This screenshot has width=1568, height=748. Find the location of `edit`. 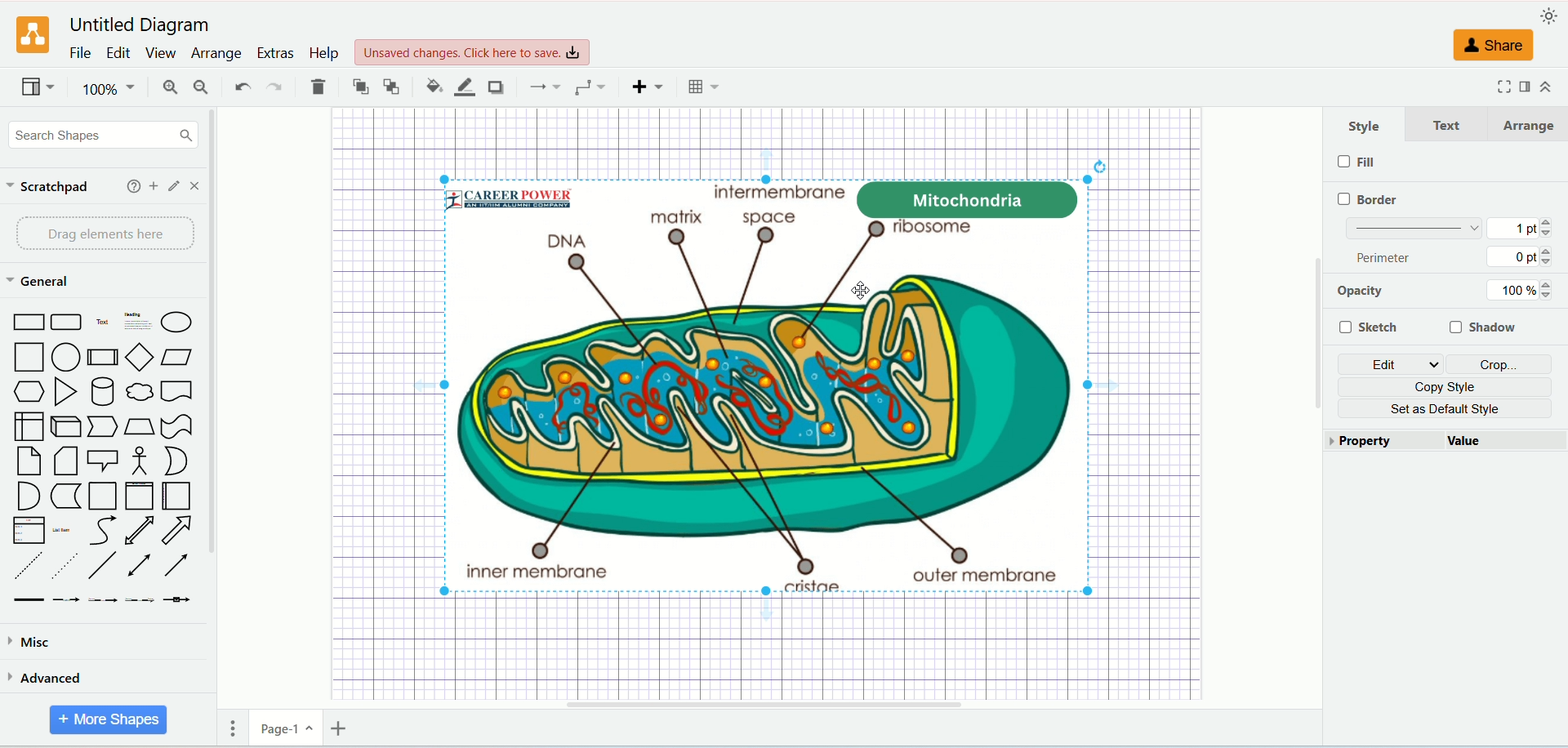

edit is located at coordinates (176, 186).